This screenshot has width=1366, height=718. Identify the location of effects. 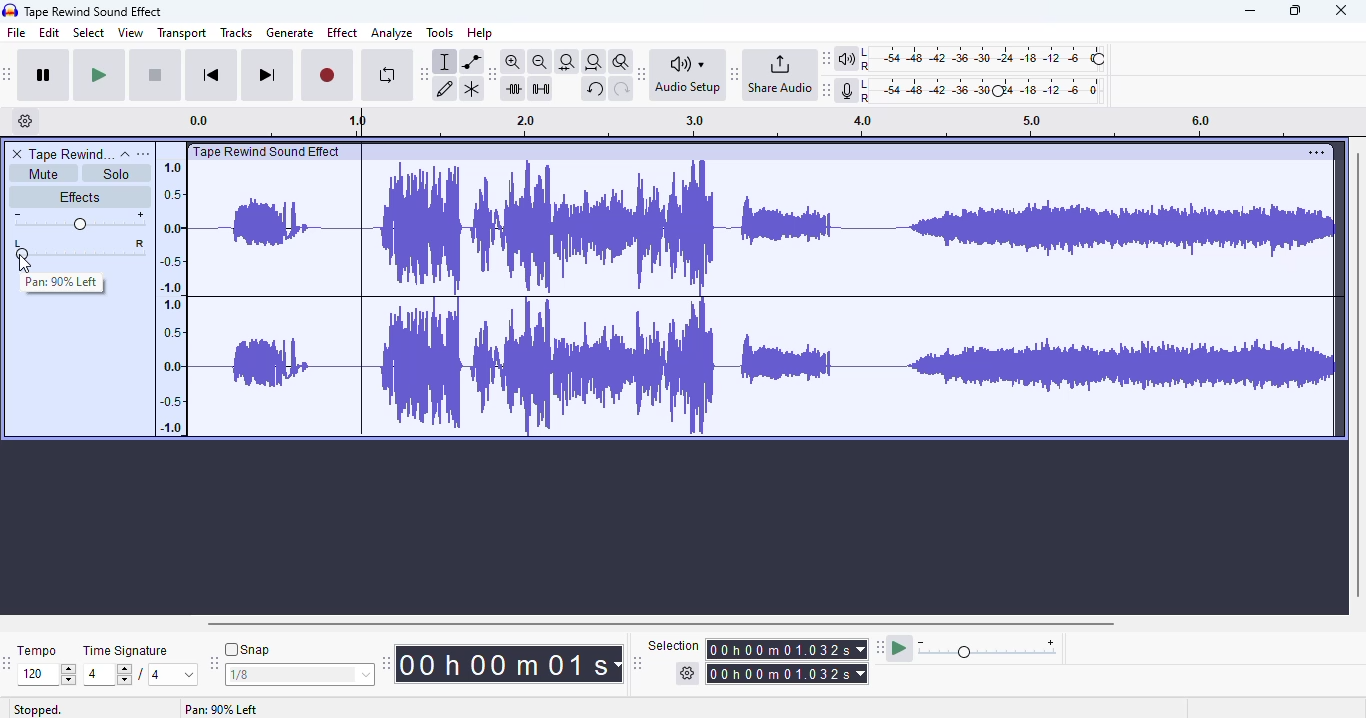
(79, 196).